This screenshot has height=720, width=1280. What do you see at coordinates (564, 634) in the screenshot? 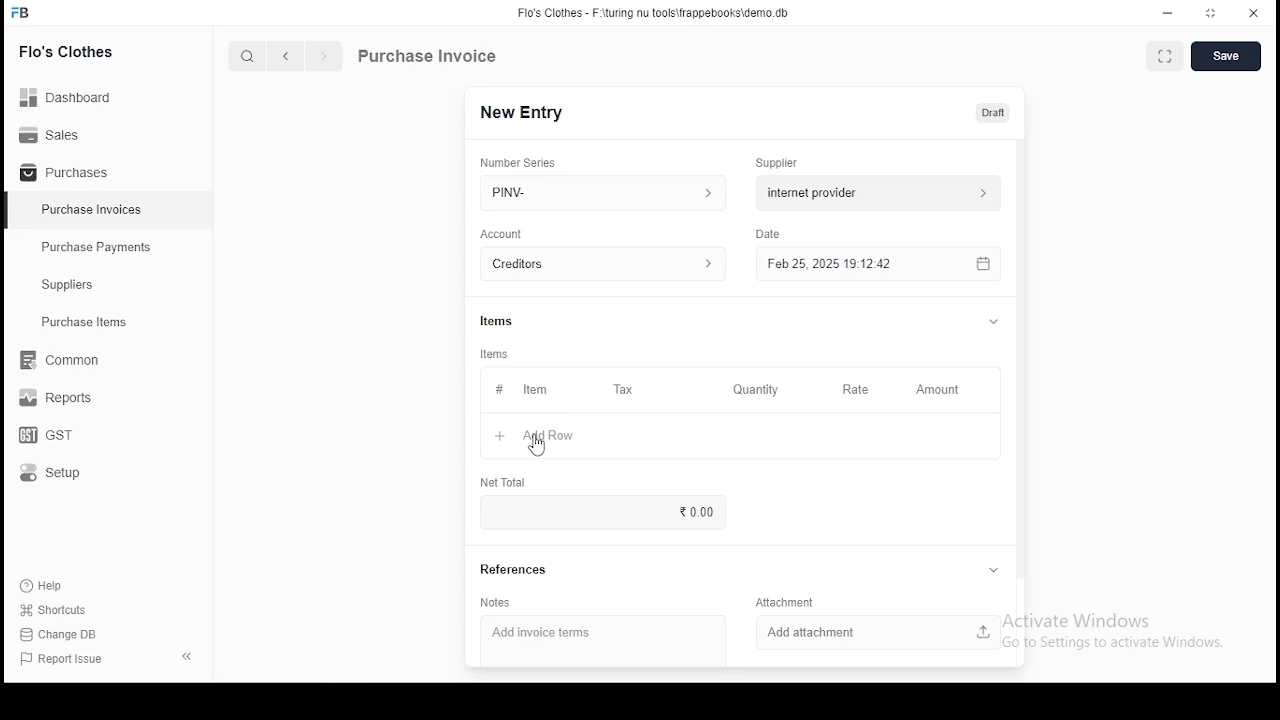
I see `add invoice items` at bounding box center [564, 634].